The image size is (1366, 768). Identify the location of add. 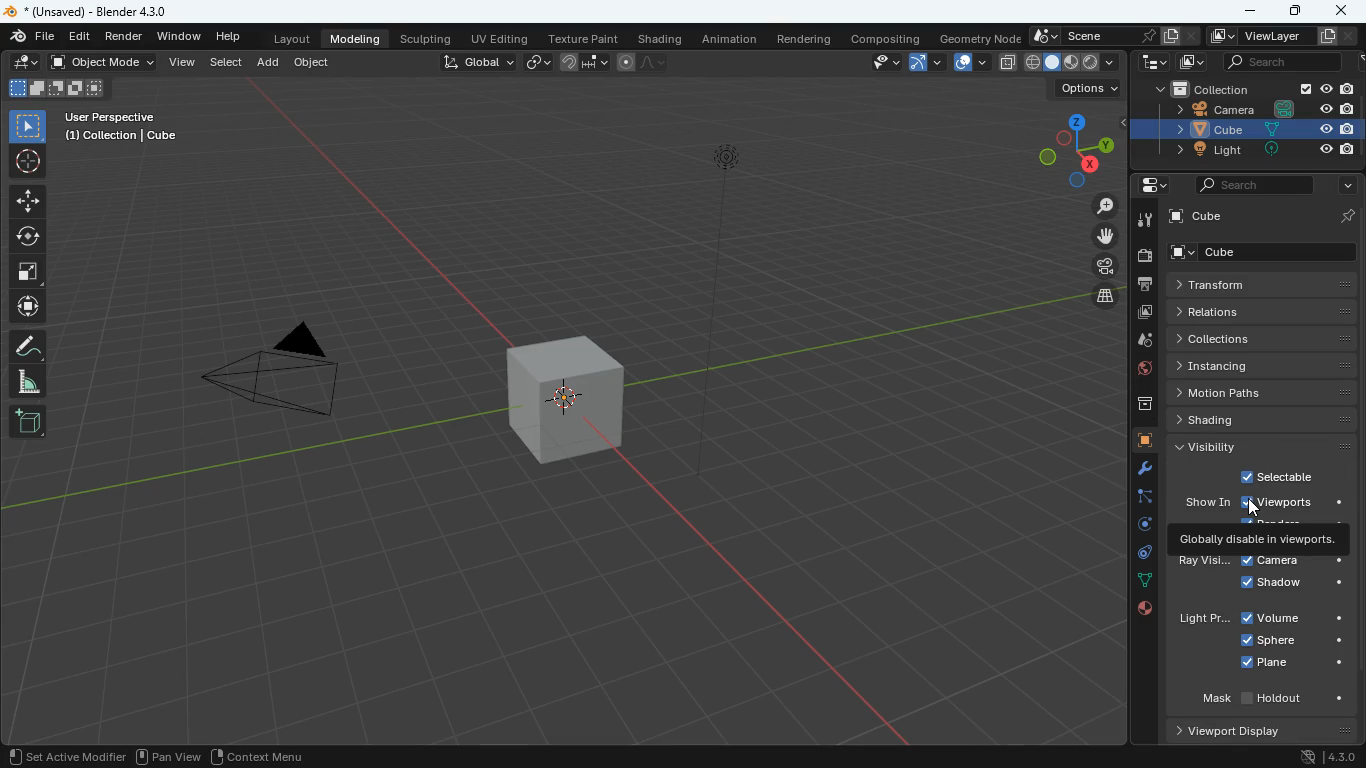
(27, 421).